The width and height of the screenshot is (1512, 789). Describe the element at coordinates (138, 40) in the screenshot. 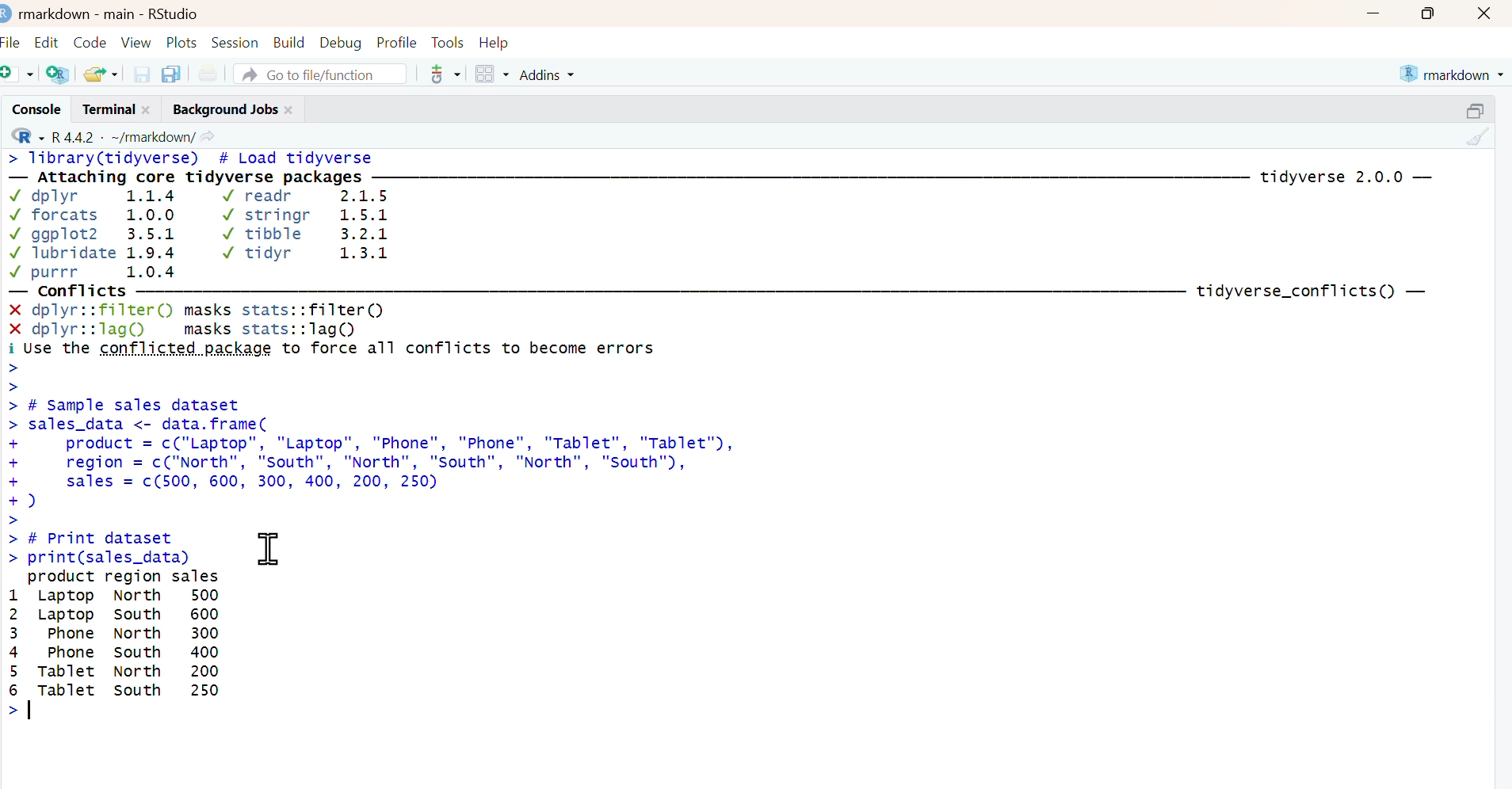

I see `View` at that location.